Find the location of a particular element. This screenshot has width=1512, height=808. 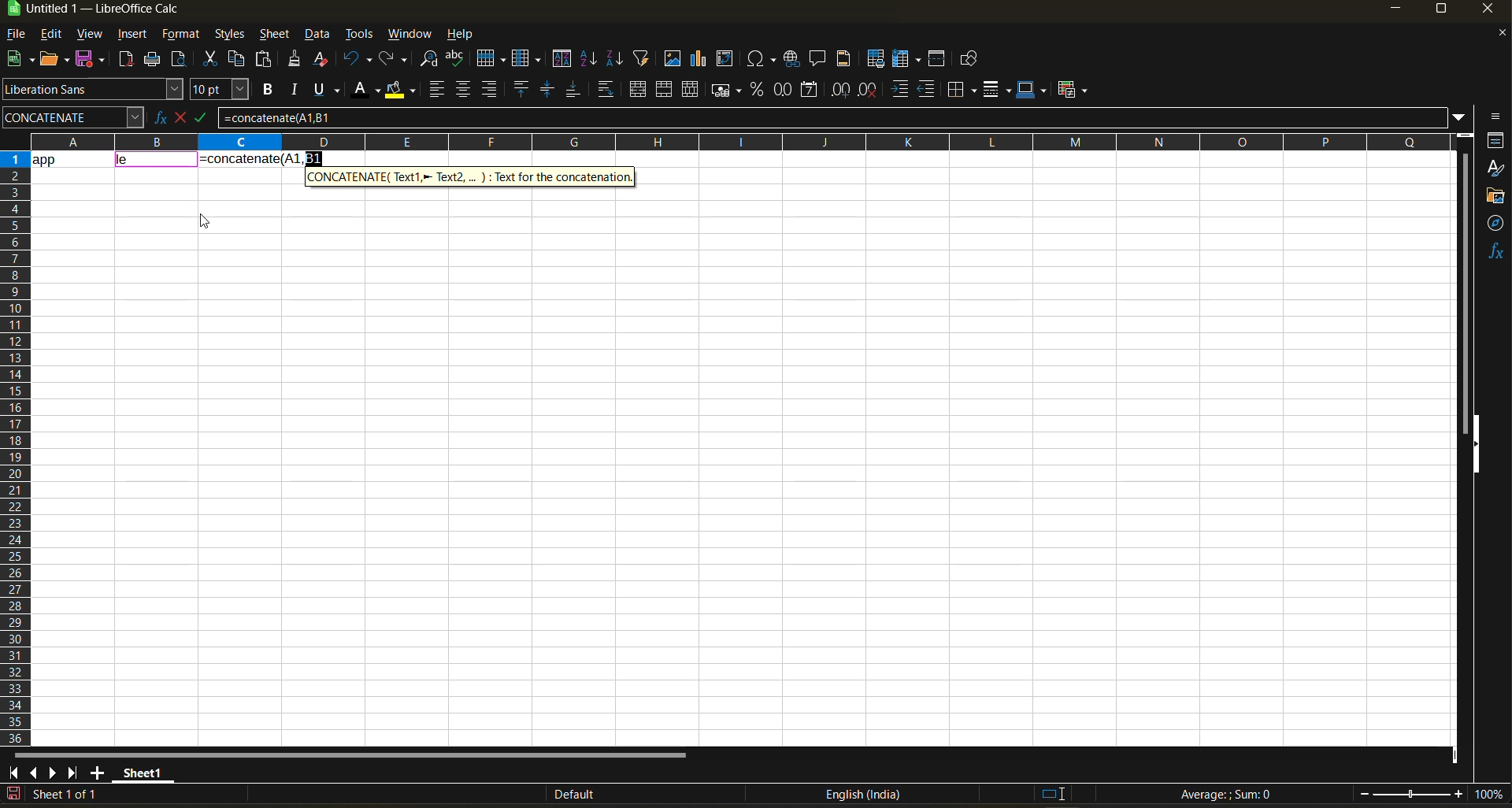

close is located at coordinates (1492, 12).